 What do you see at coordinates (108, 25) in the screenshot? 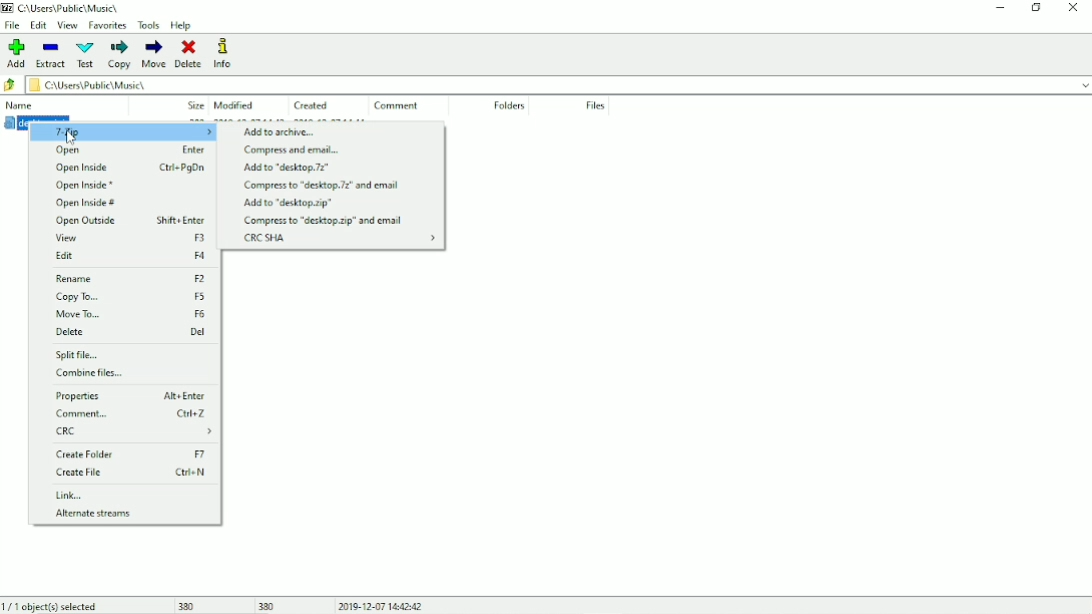
I see `Favorites` at bounding box center [108, 25].